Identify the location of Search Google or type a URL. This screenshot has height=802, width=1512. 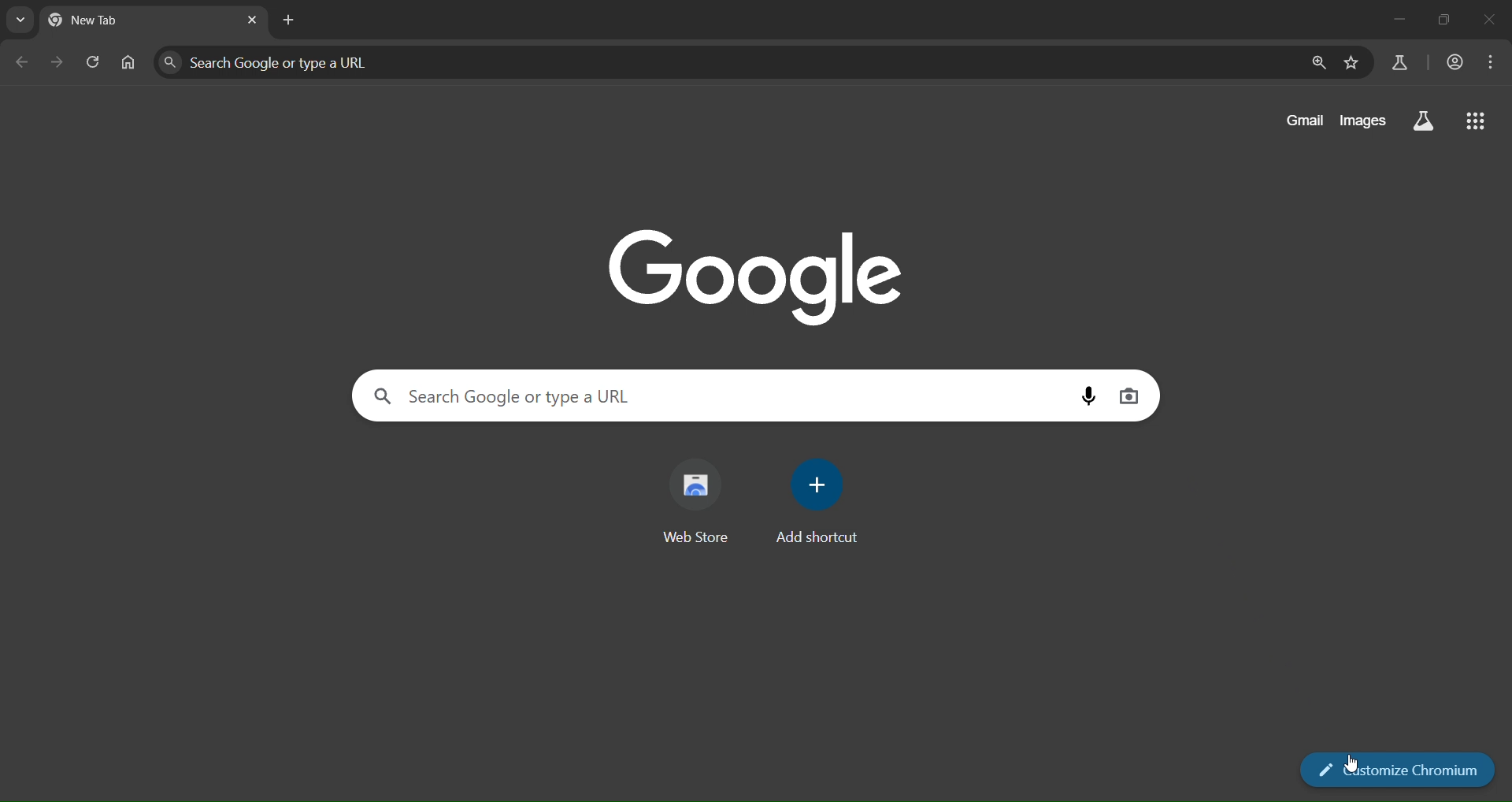
(721, 395).